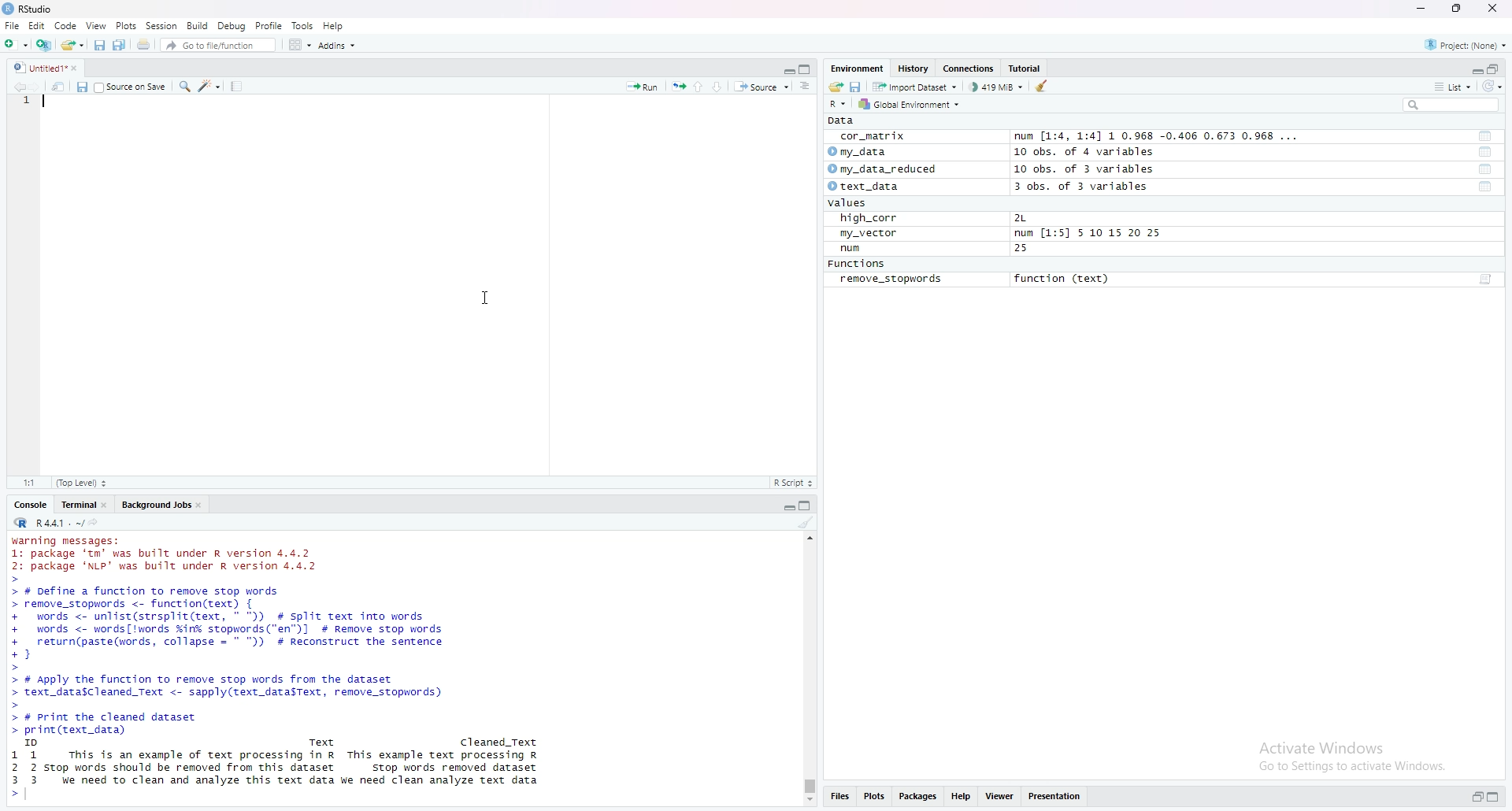 The height and width of the screenshot is (811, 1512). I want to click on Save, so click(855, 87).